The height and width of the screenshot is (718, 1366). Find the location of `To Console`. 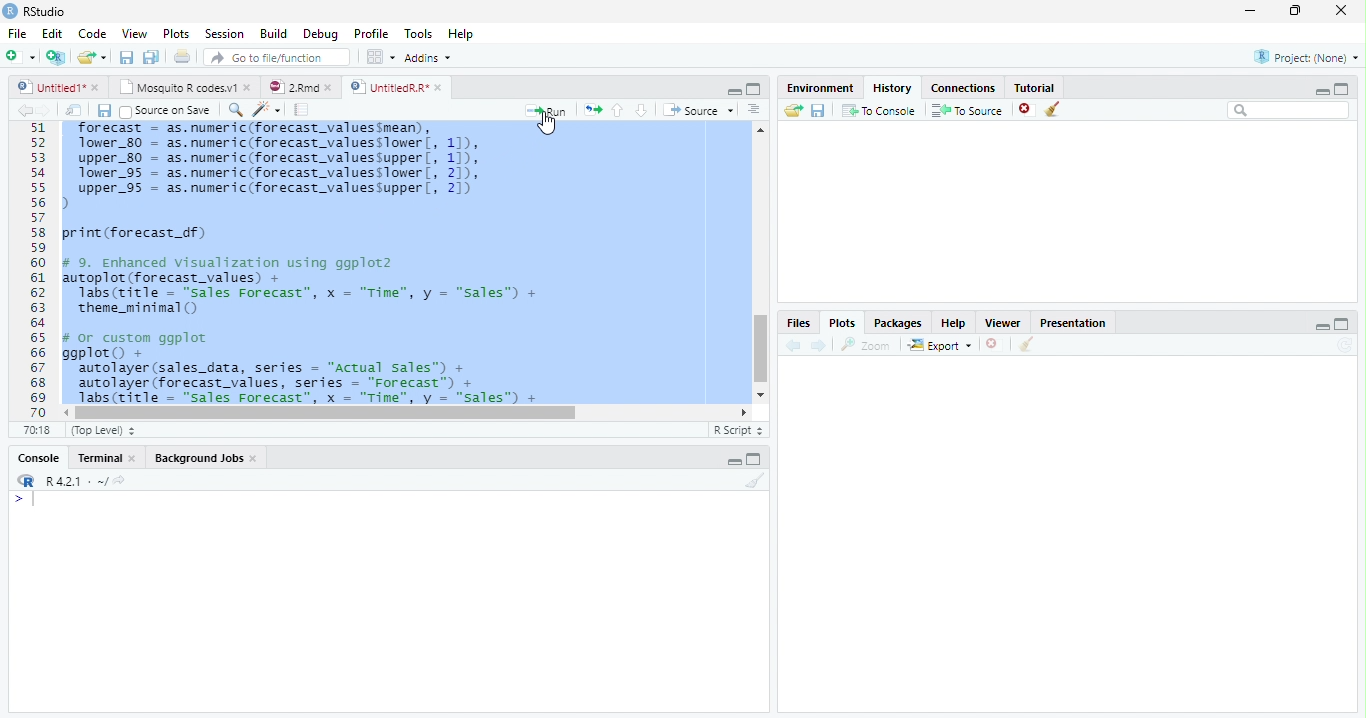

To Console is located at coordinates (880, 111).